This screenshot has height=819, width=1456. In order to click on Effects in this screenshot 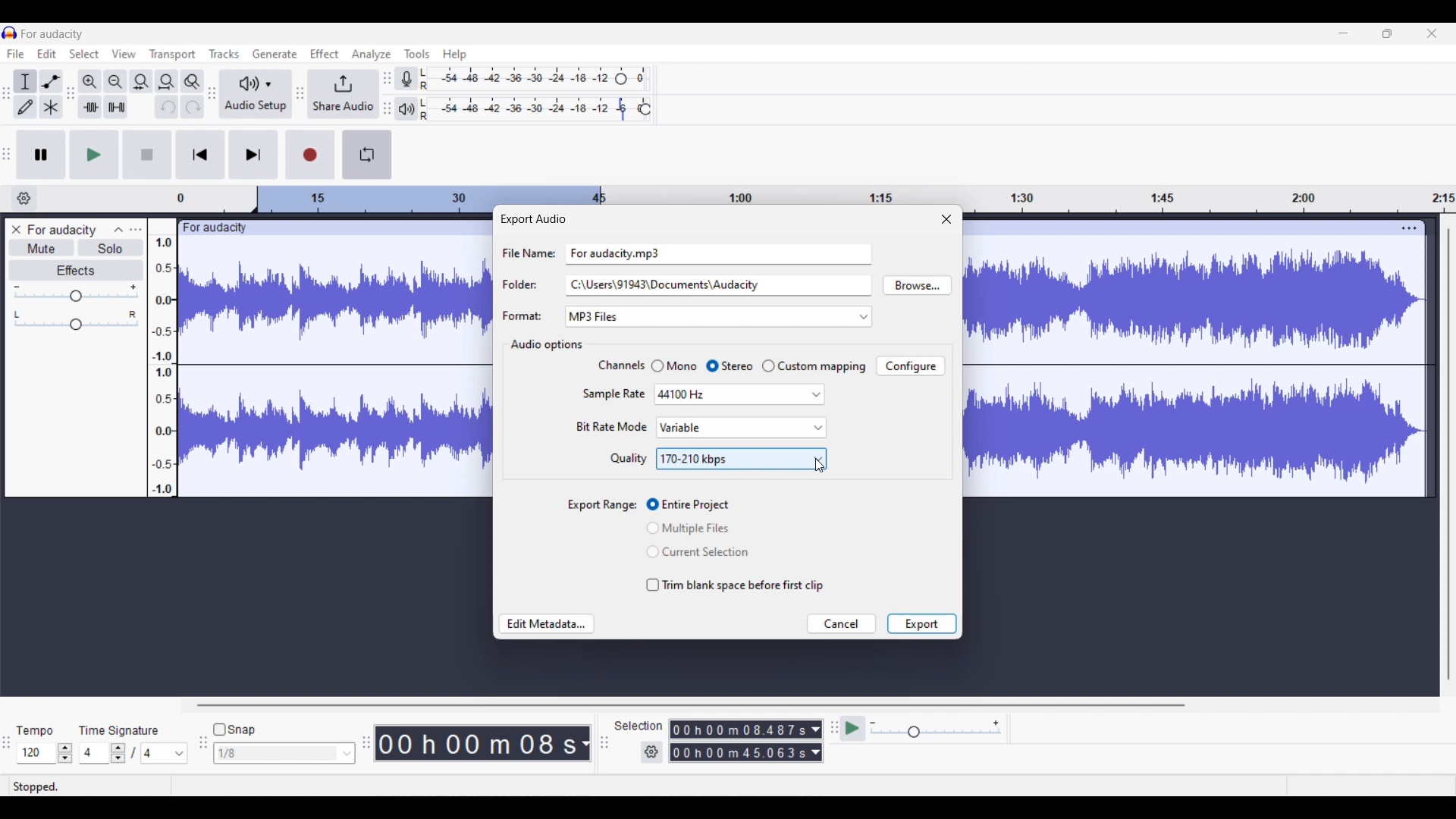, I will do `click(77, 271)`.